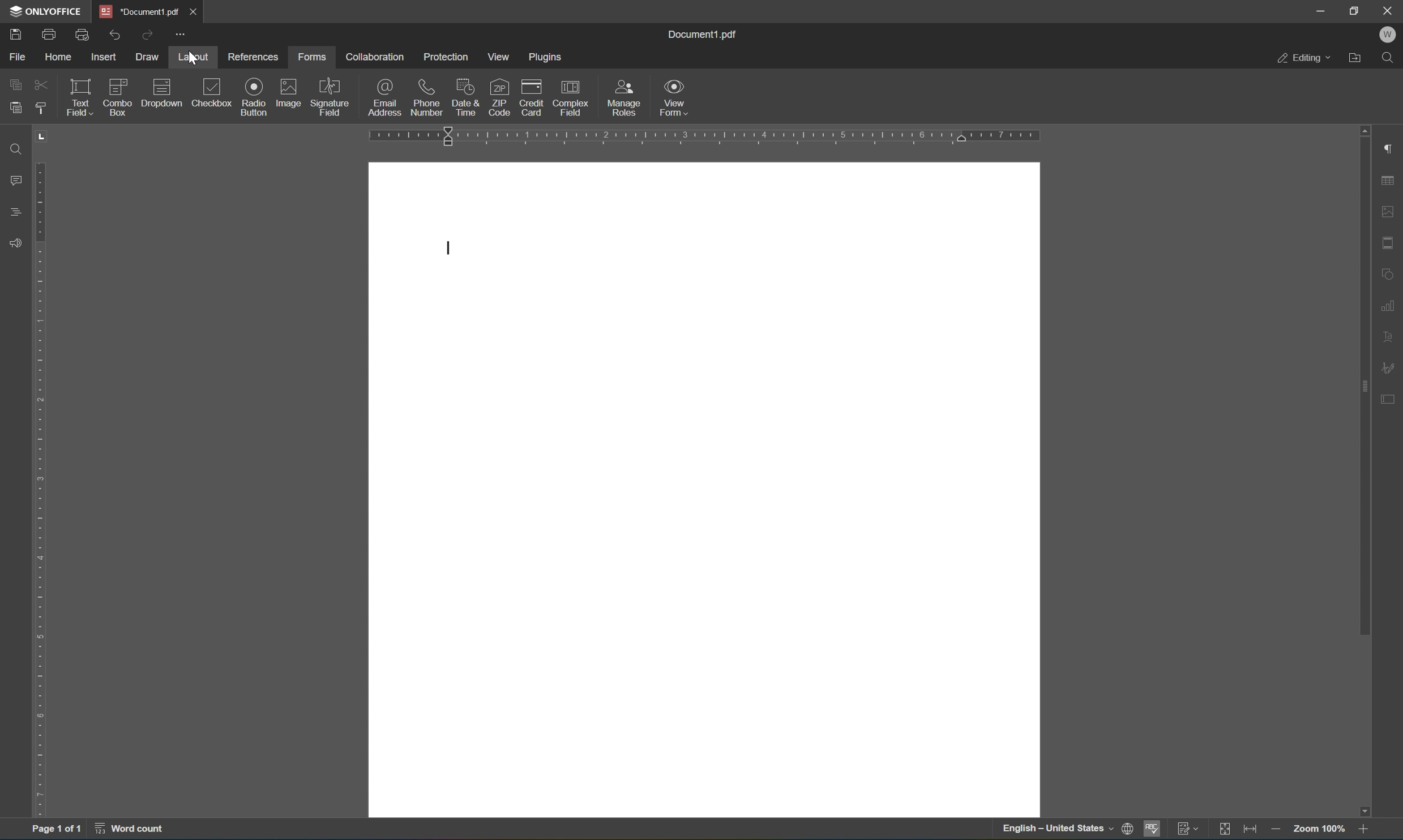  Describe the element at coordinates (182, 36) in the screenshot. I see `customize quick access toolbar` at that location.